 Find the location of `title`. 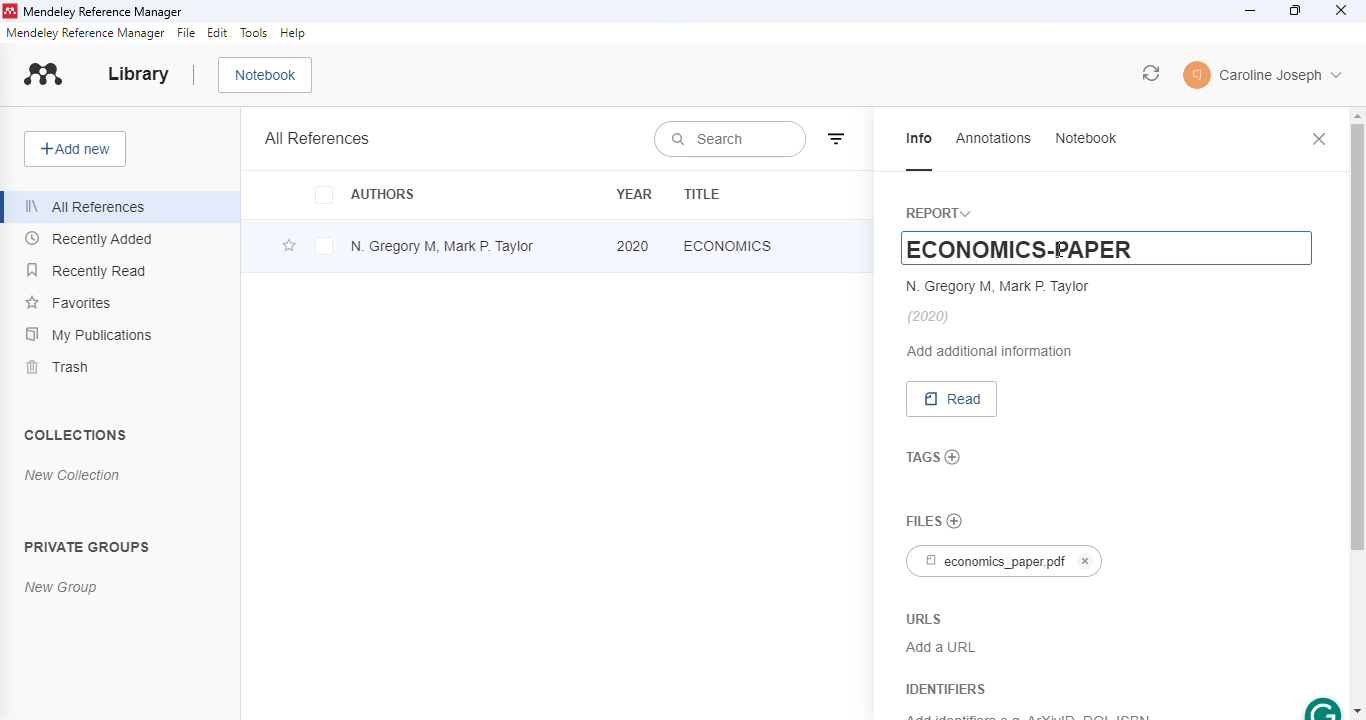

title is located at coordinates (703, 195).